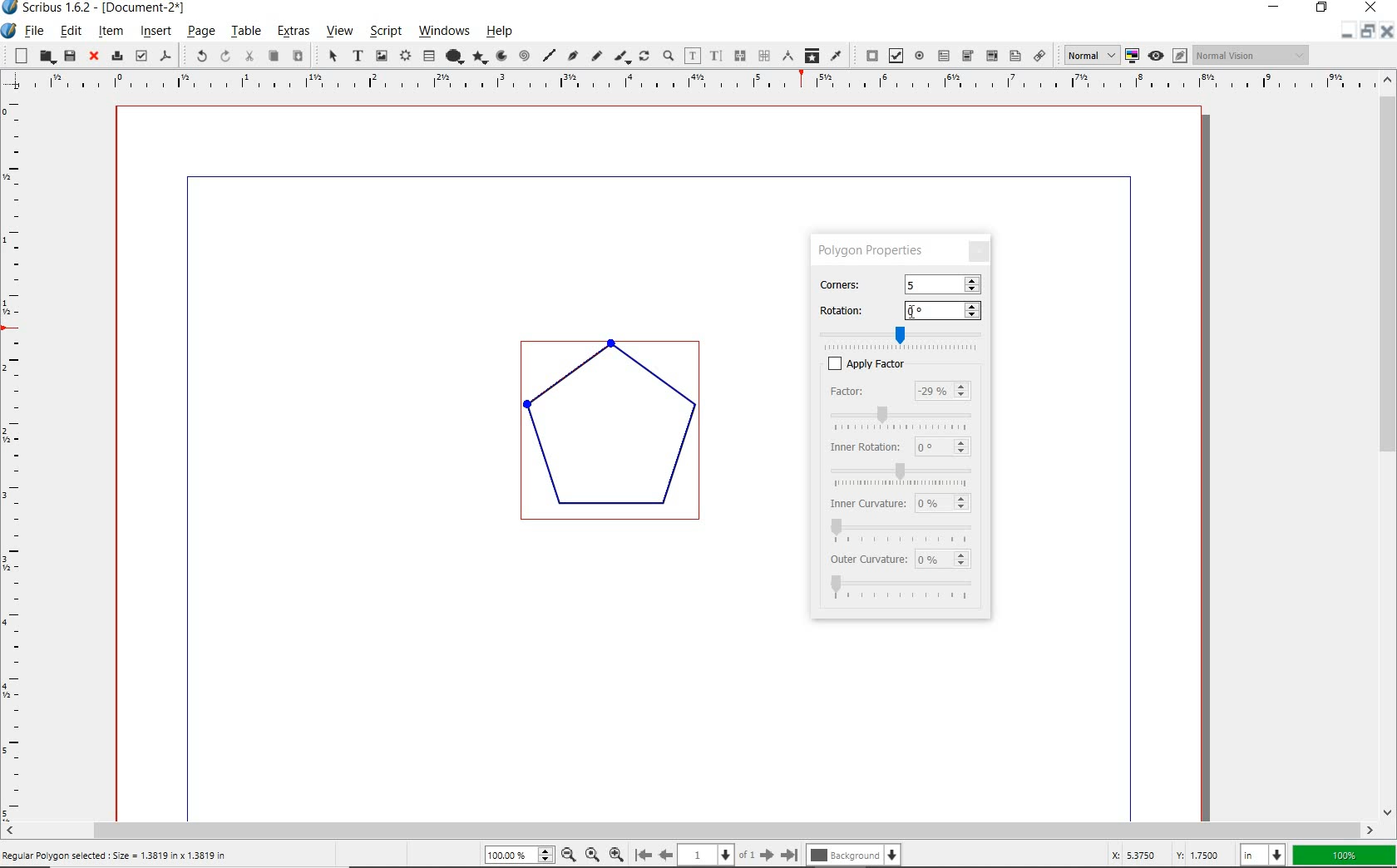 The width and height of the screenshot is (1397, 868). Describe the element at coordinates (623, 439) in the screenshot. I see `5 SIDE POLYGON DRAWN` at that location.